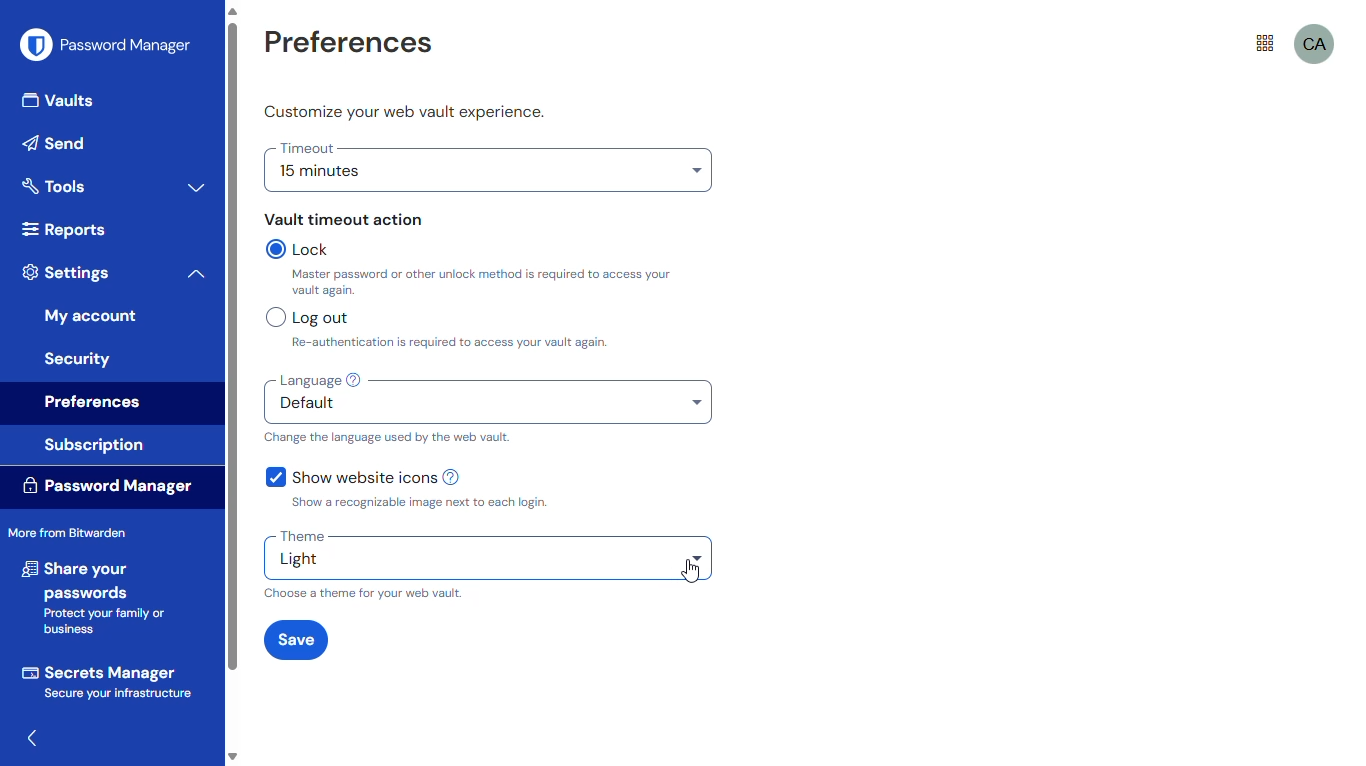  What do you see at coordinates (91, 316) in the screenshot?
I see `my account` at bounding box center [91, 316].